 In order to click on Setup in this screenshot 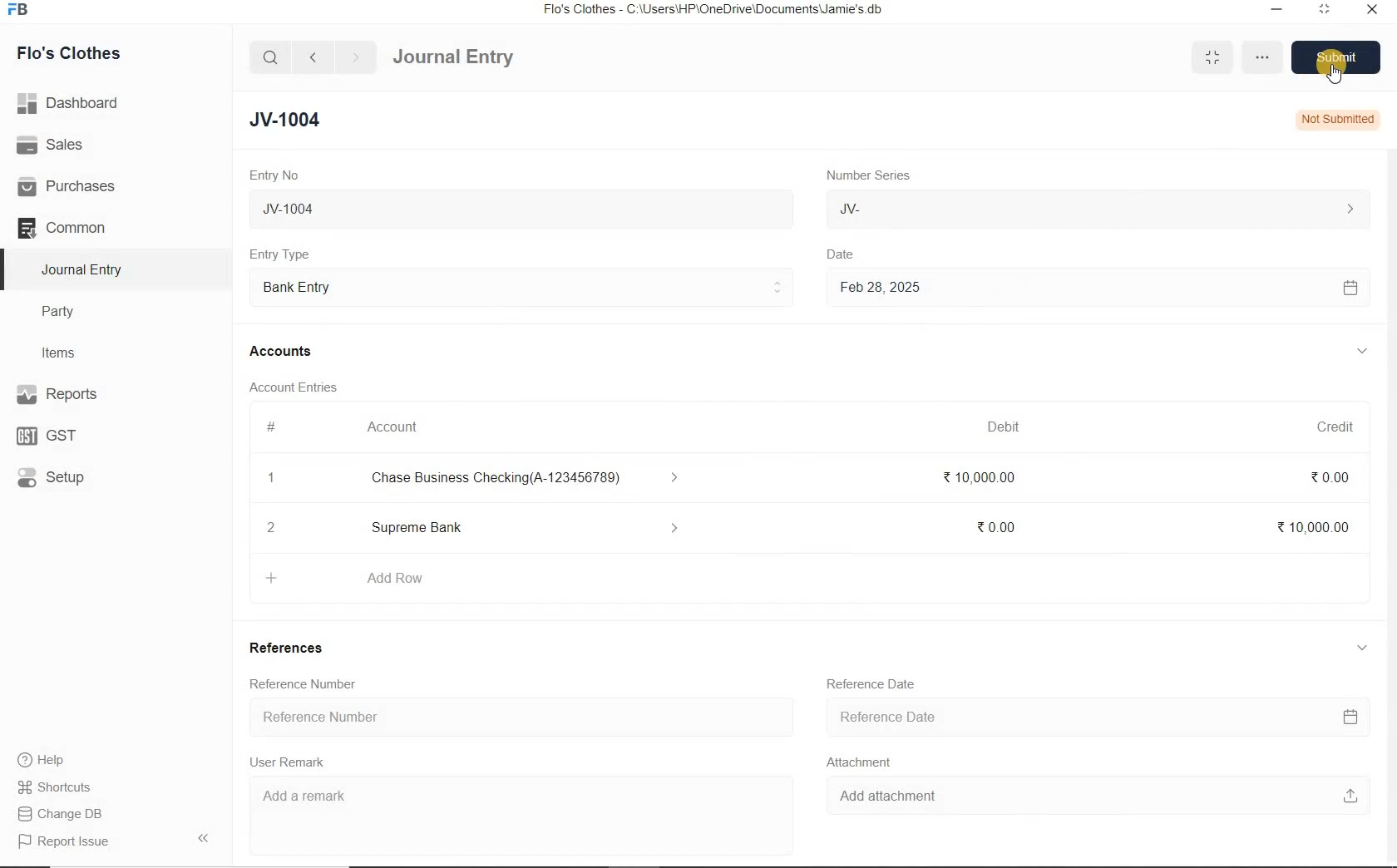, I will do `click(67, 476)`.